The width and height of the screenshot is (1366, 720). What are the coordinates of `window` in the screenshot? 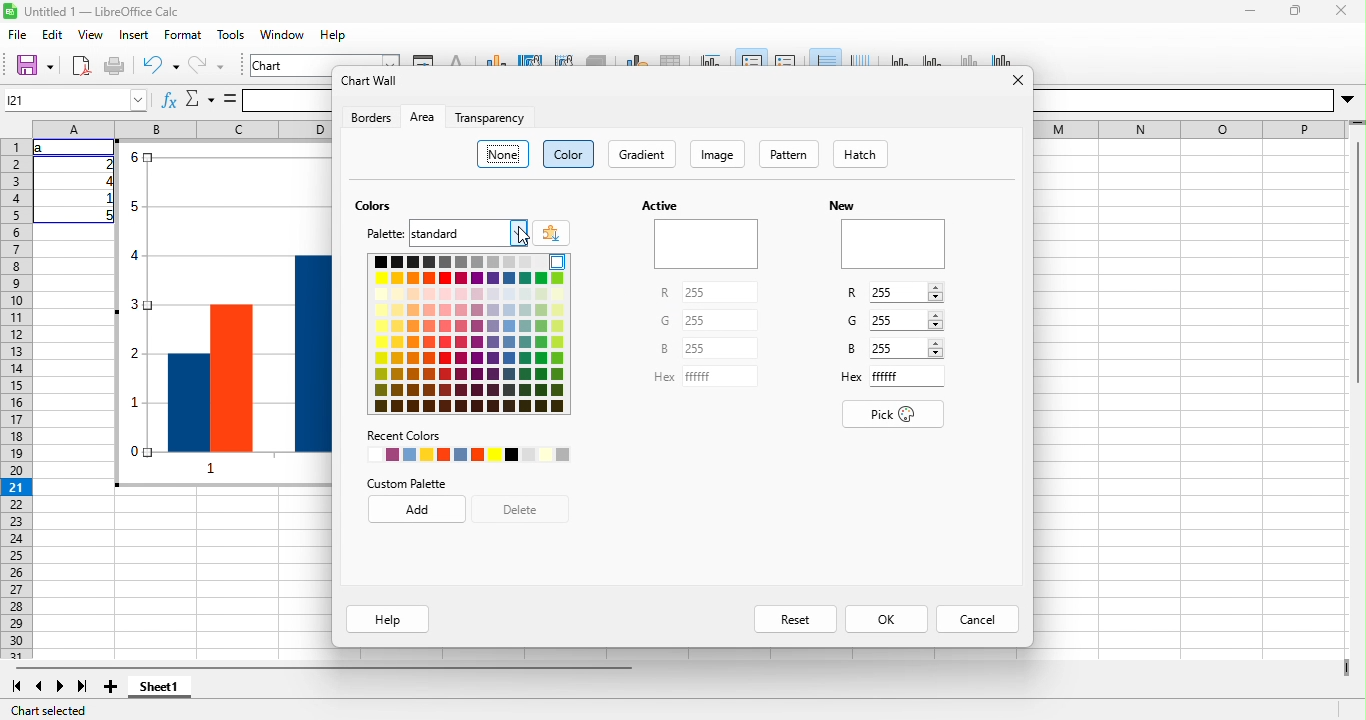 It's located at (283, 34).